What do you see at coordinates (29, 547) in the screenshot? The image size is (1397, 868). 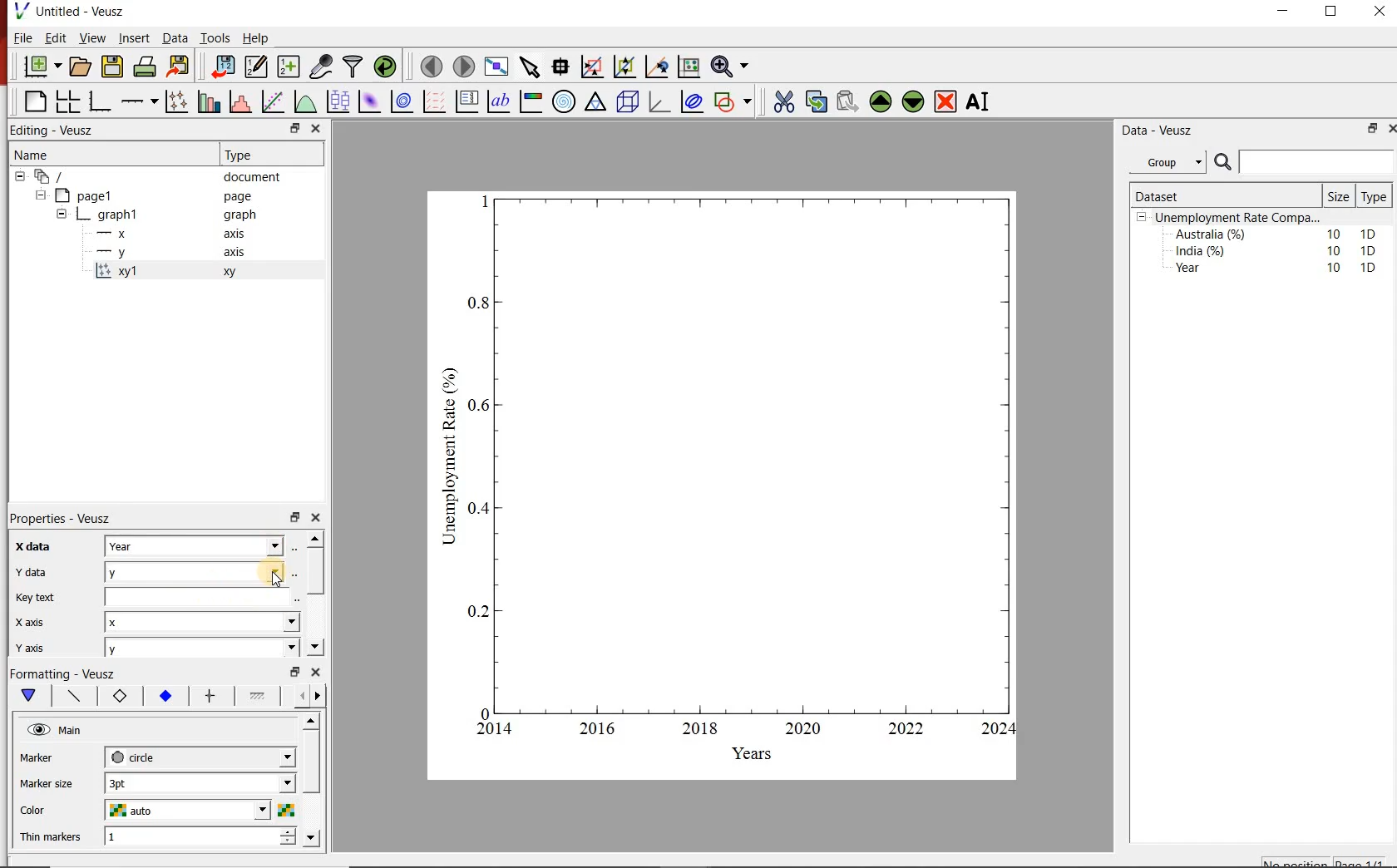 I see `x data` at bounding box center [29, 547].